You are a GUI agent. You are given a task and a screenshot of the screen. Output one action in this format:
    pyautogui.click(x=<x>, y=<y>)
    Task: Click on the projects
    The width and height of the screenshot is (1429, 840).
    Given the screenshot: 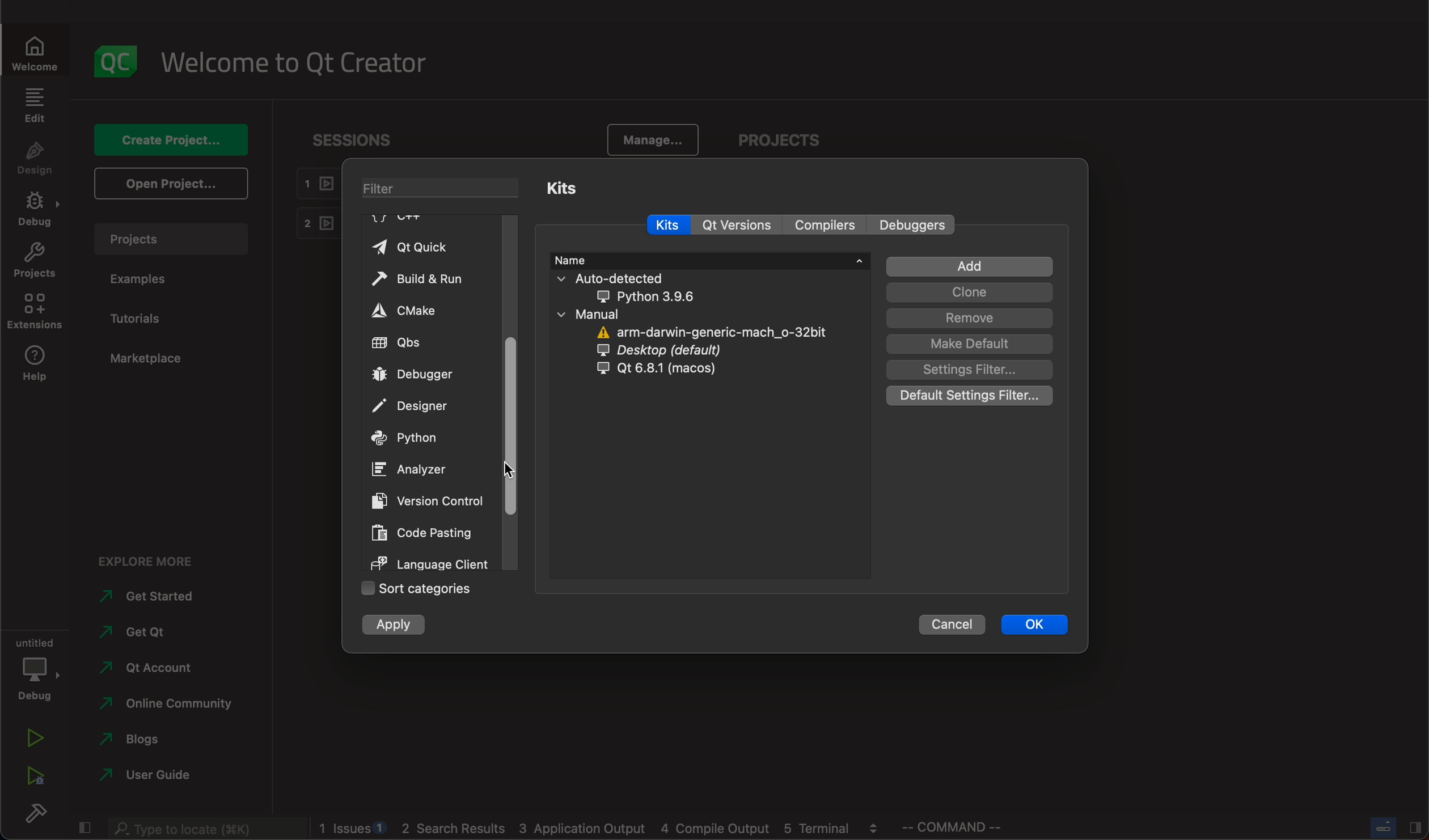 What is the action you would take?
    pyautogui.click(x=780, y=138)
    